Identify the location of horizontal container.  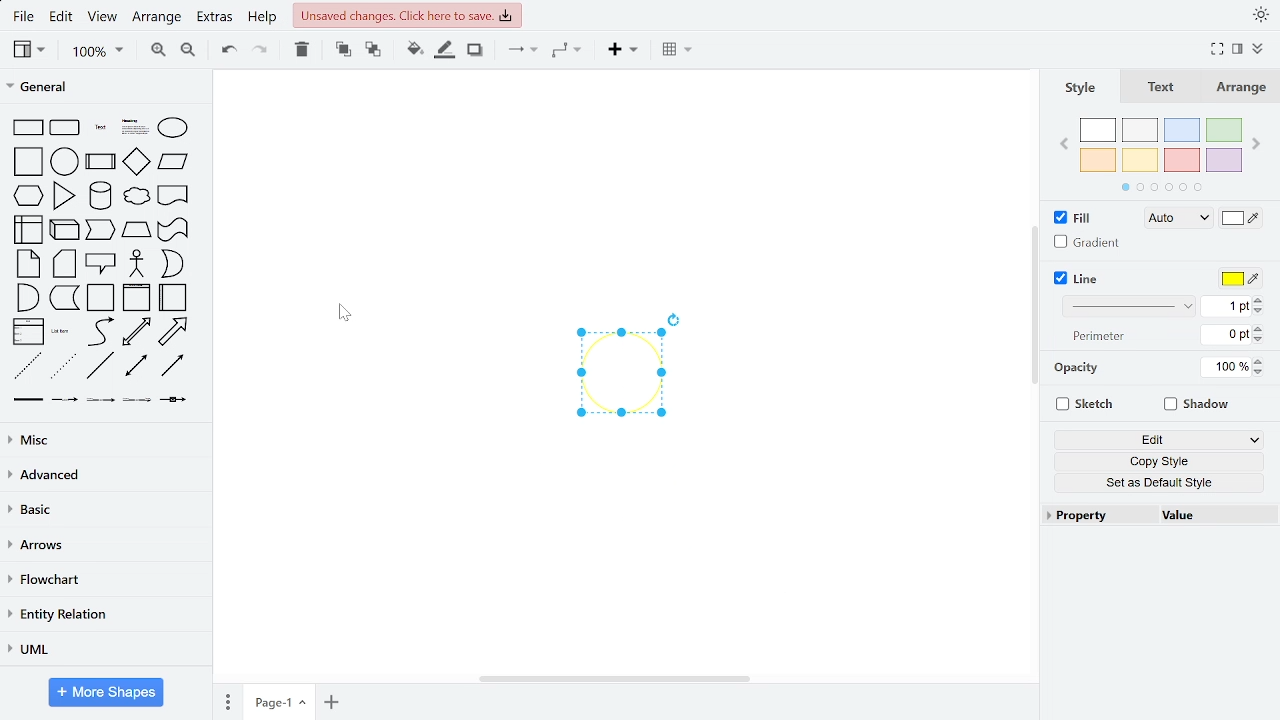
(174, 297).